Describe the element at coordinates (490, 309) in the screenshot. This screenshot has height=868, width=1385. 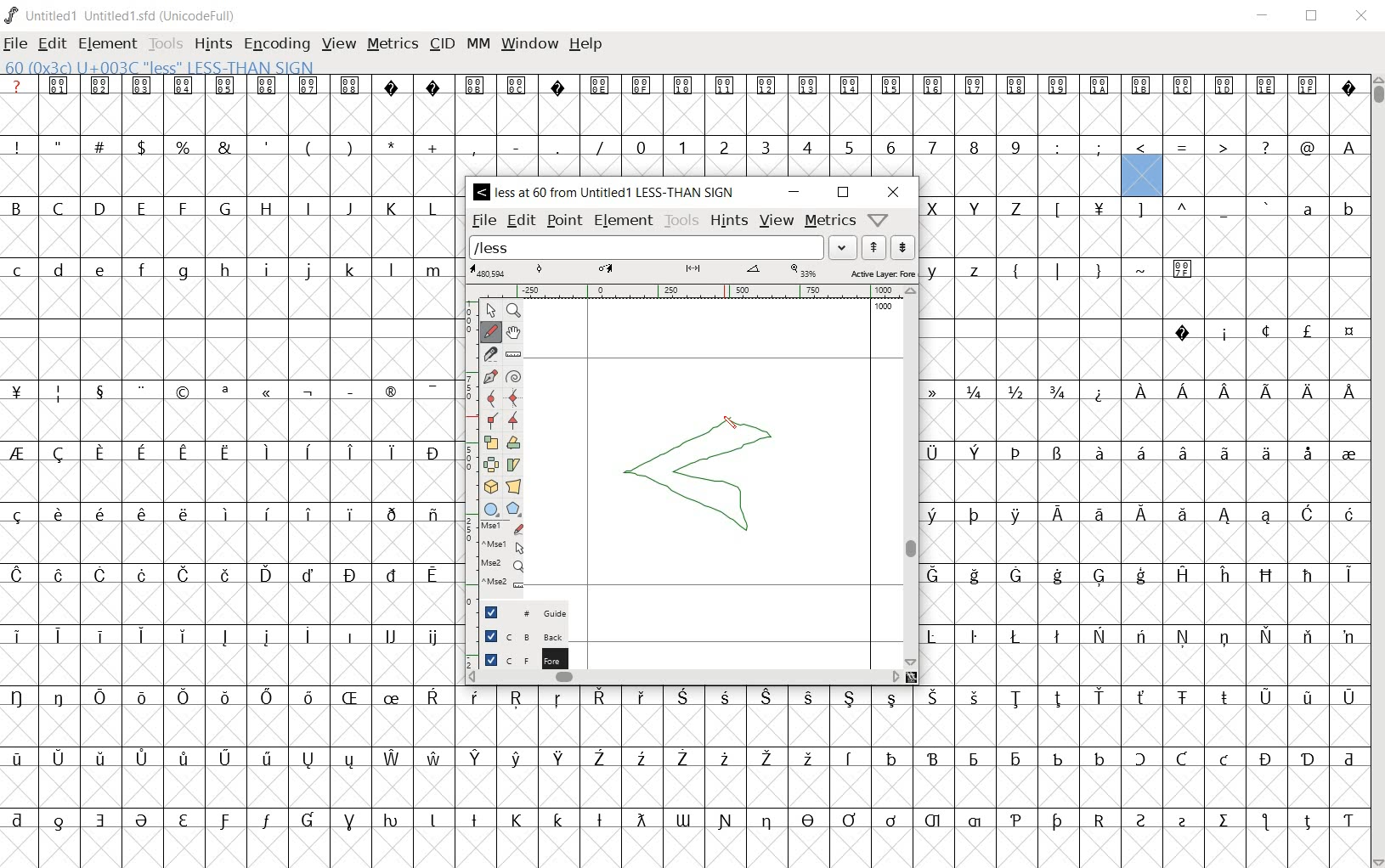
I see `pointer` at that location.